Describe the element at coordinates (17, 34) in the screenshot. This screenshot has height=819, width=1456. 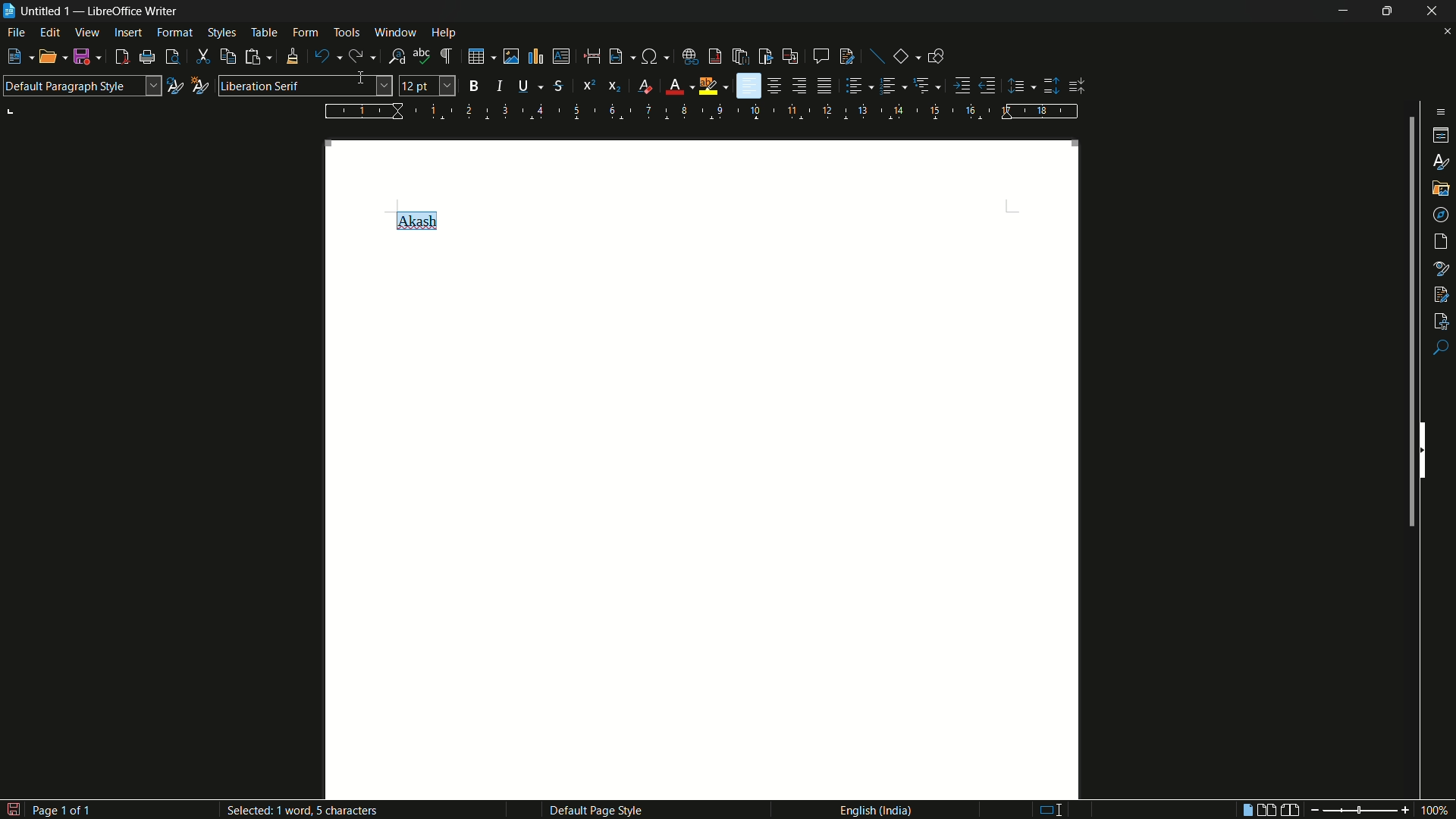
I see `file menu` at that location.